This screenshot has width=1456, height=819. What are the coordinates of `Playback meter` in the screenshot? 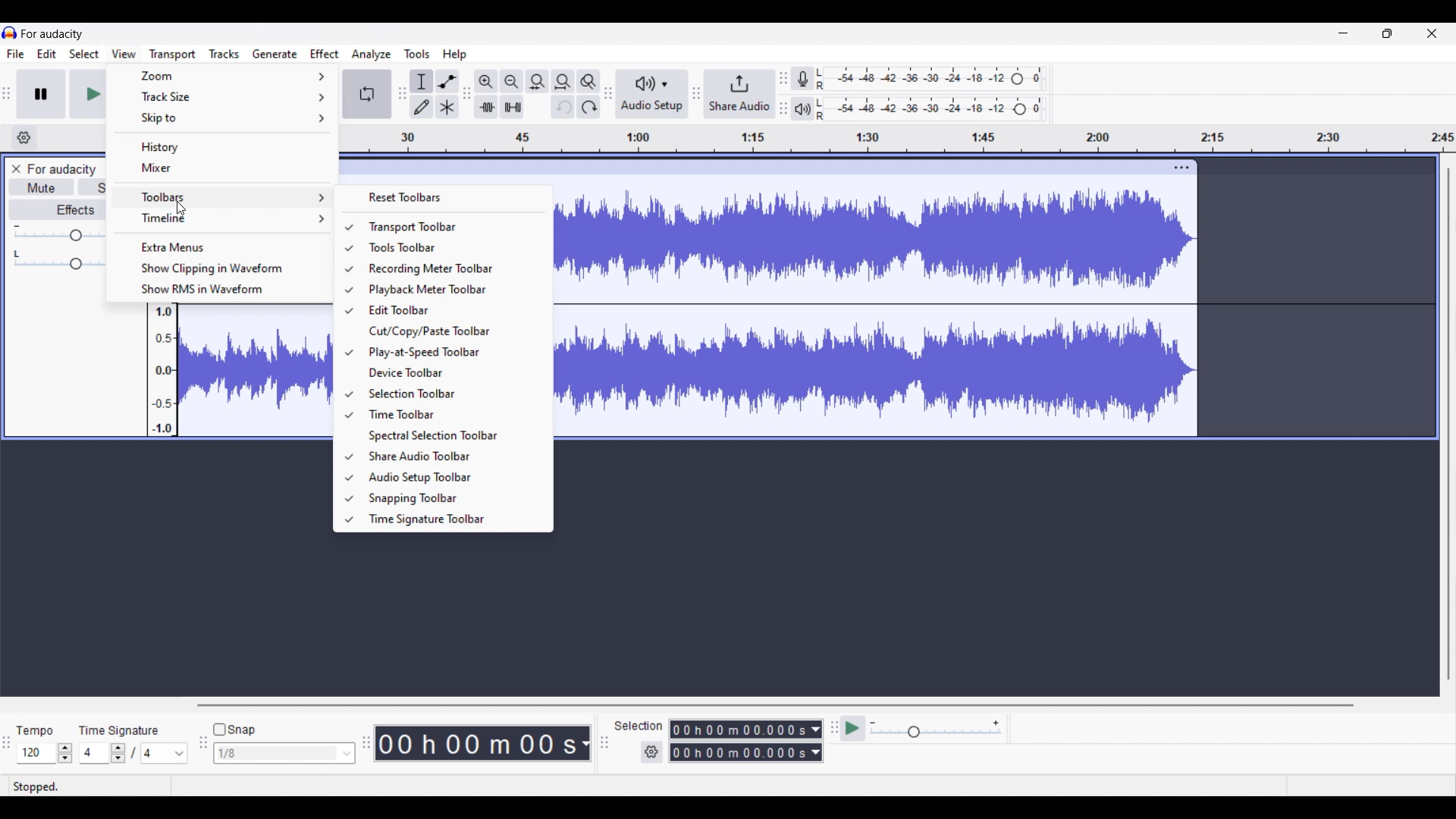 It's located at (803, 108).